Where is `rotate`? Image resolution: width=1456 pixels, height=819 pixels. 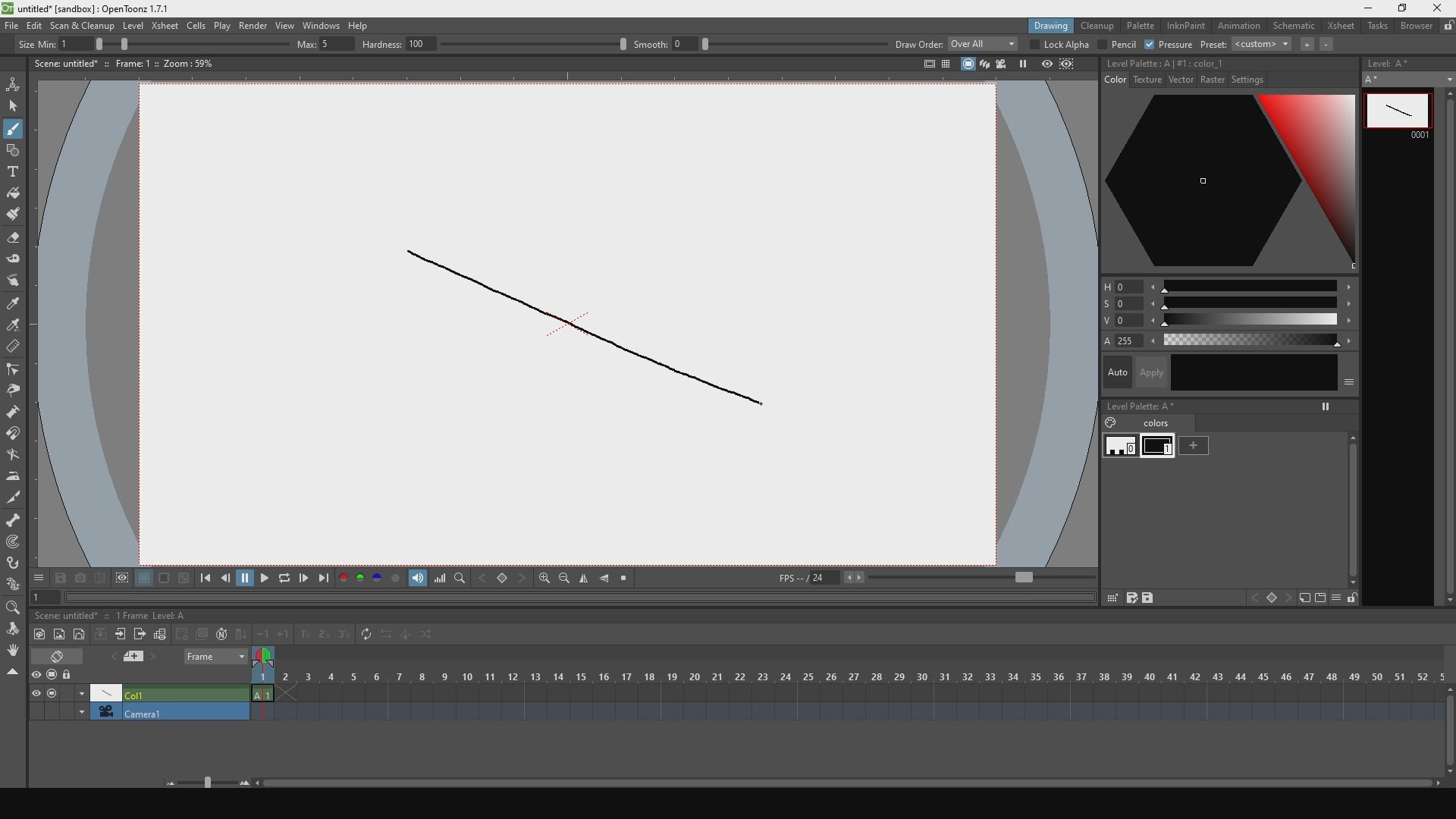 rotate is located at coordinates (14, 652).